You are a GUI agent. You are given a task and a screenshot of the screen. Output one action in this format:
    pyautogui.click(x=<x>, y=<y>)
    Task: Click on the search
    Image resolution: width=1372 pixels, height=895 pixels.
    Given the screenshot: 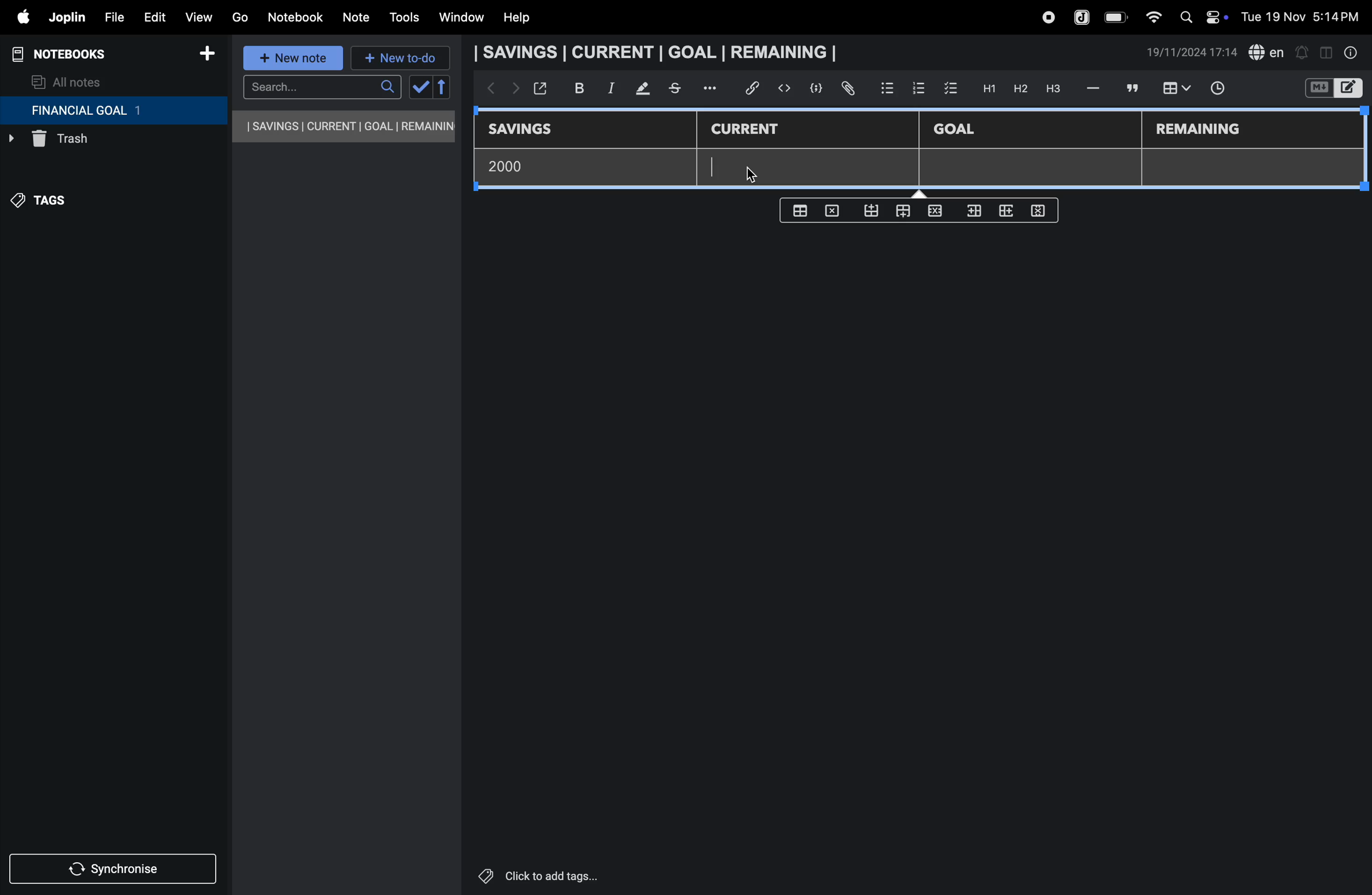 What is the action you would take?
    pyautogui.click(x=322, y=87)
    